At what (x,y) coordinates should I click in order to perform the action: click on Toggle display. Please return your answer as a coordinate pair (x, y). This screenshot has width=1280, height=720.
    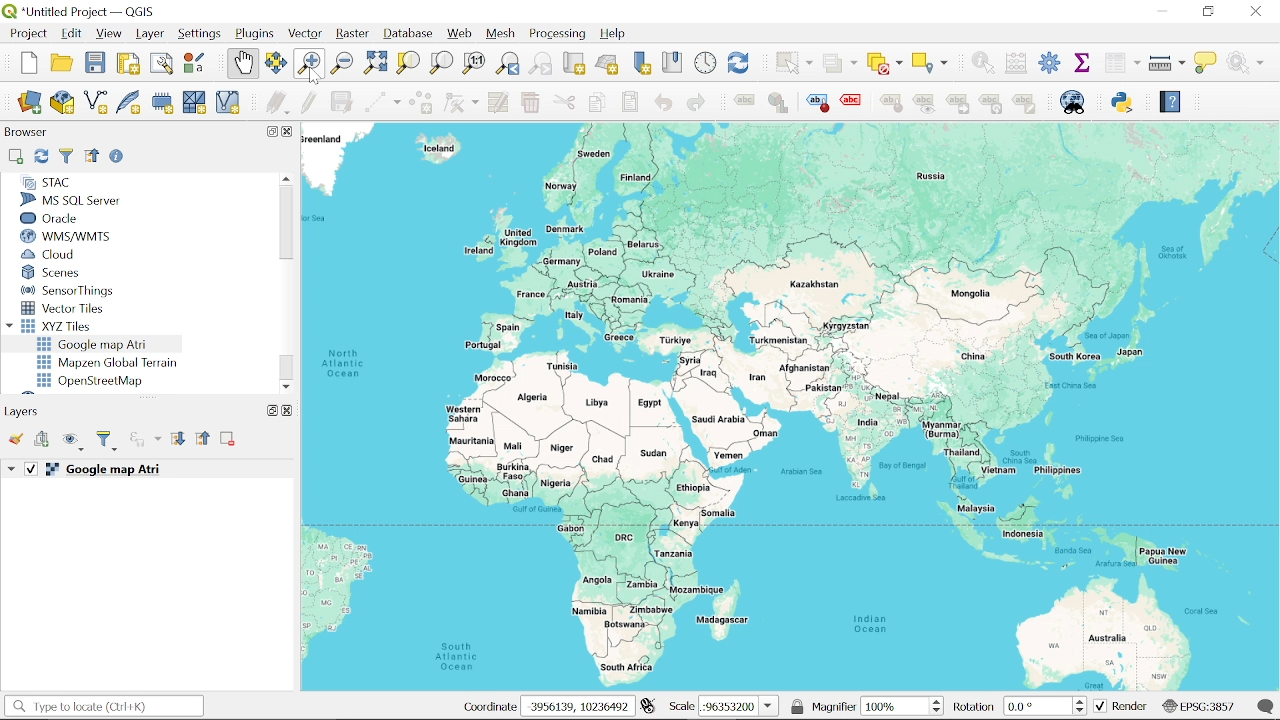
    Looking at the image, I should click on (854, 101).